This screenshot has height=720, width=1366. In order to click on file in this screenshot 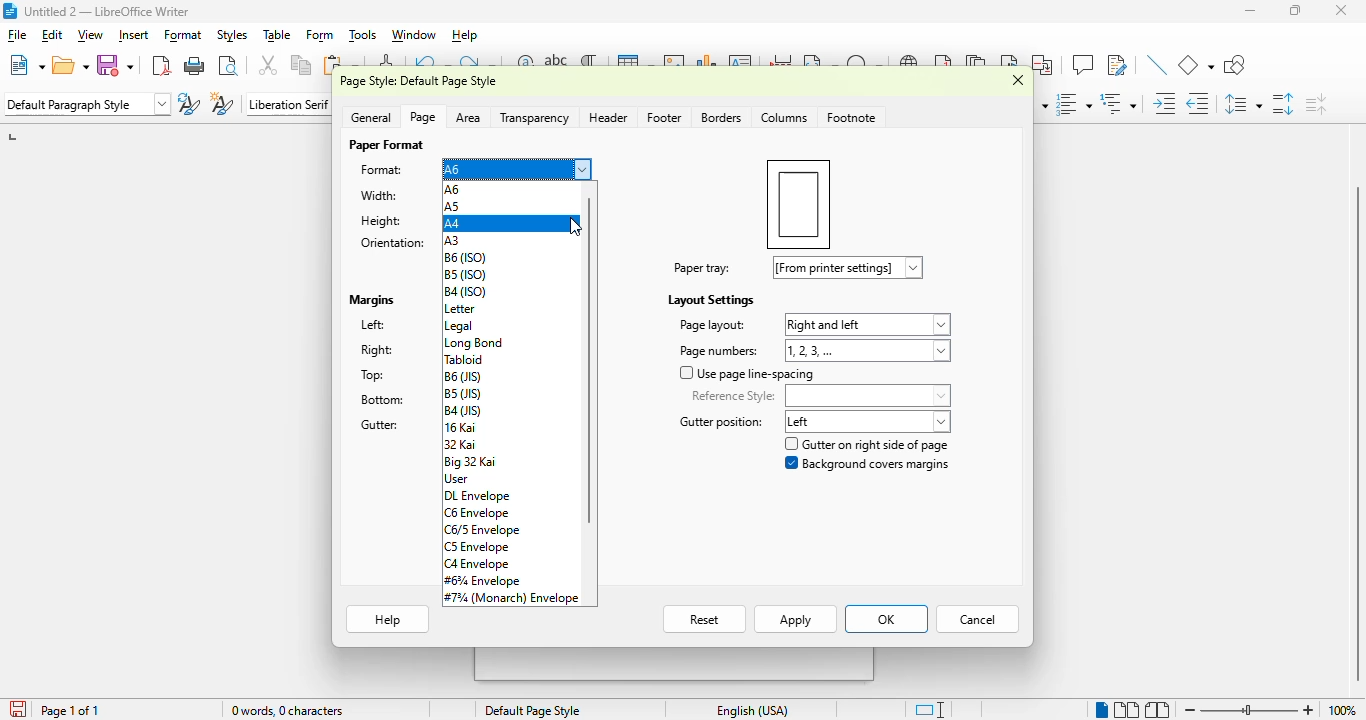, I will do `click(18, 34)`.